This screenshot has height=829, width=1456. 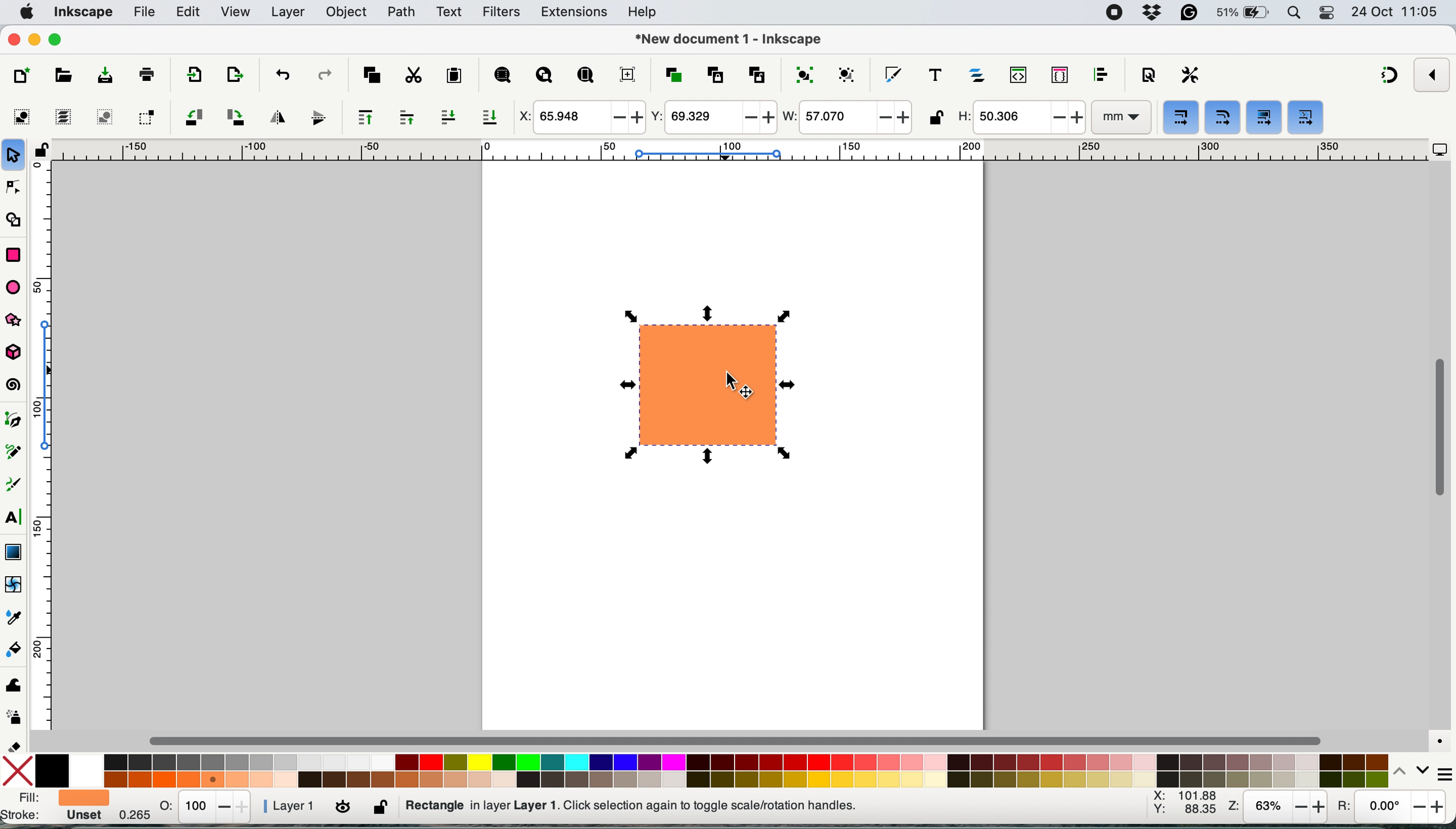 I want to click on grammarly, so click(x=1191, y=14).